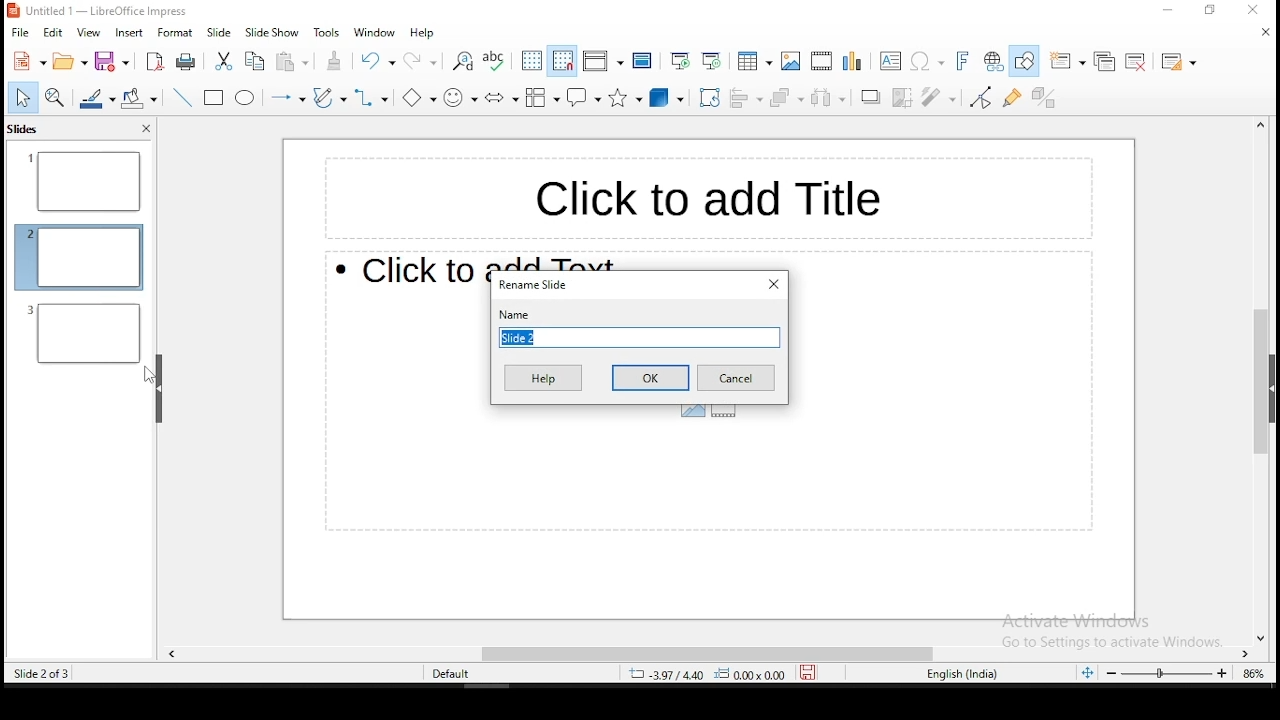 This screenshot has height=720, width=1280. Describe the element at coordinates (540, 99) in the screenshot. I see `flowchart` at that location.